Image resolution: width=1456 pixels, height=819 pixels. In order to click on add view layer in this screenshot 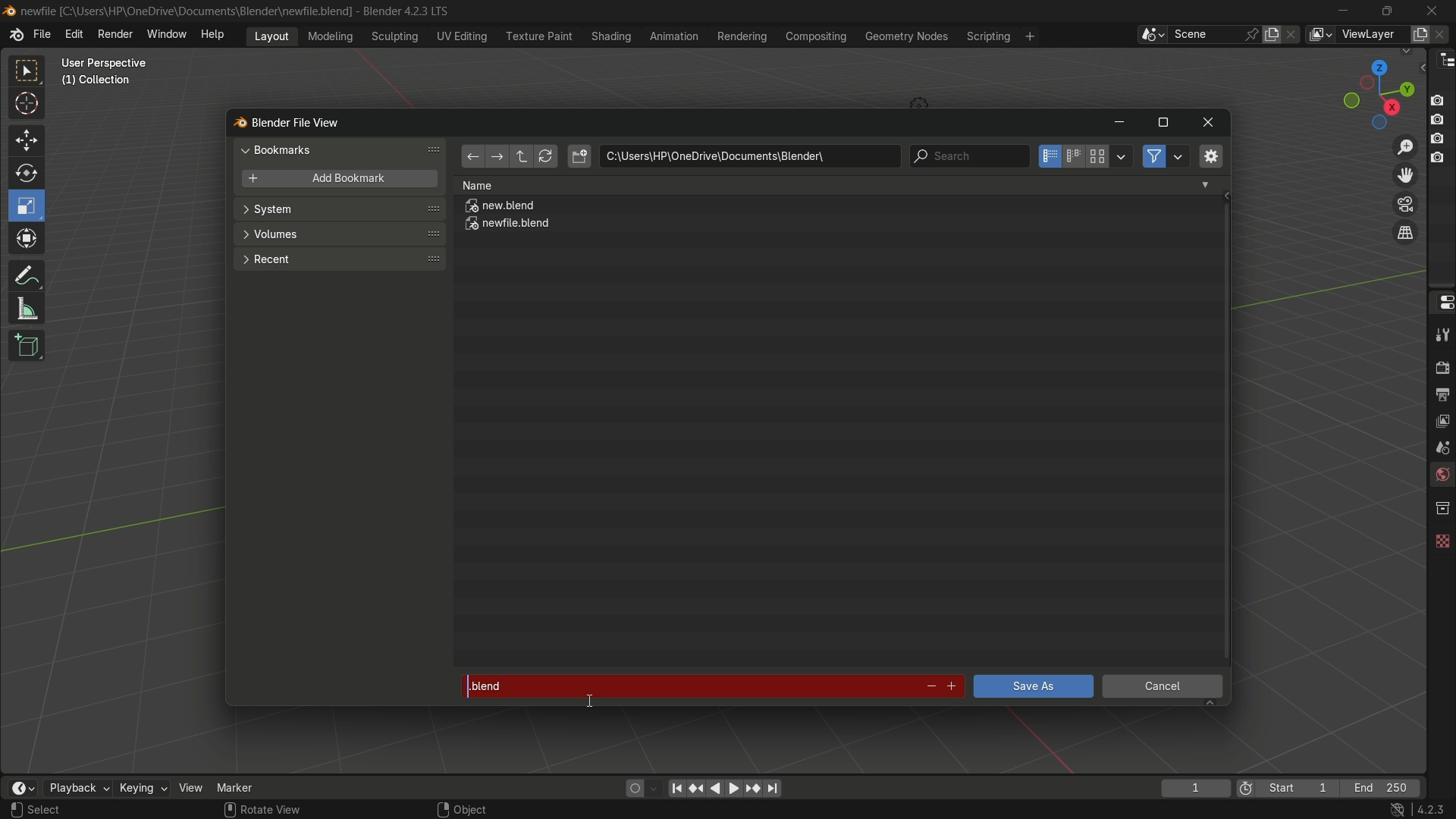, I will do `click(1418, 33)`.